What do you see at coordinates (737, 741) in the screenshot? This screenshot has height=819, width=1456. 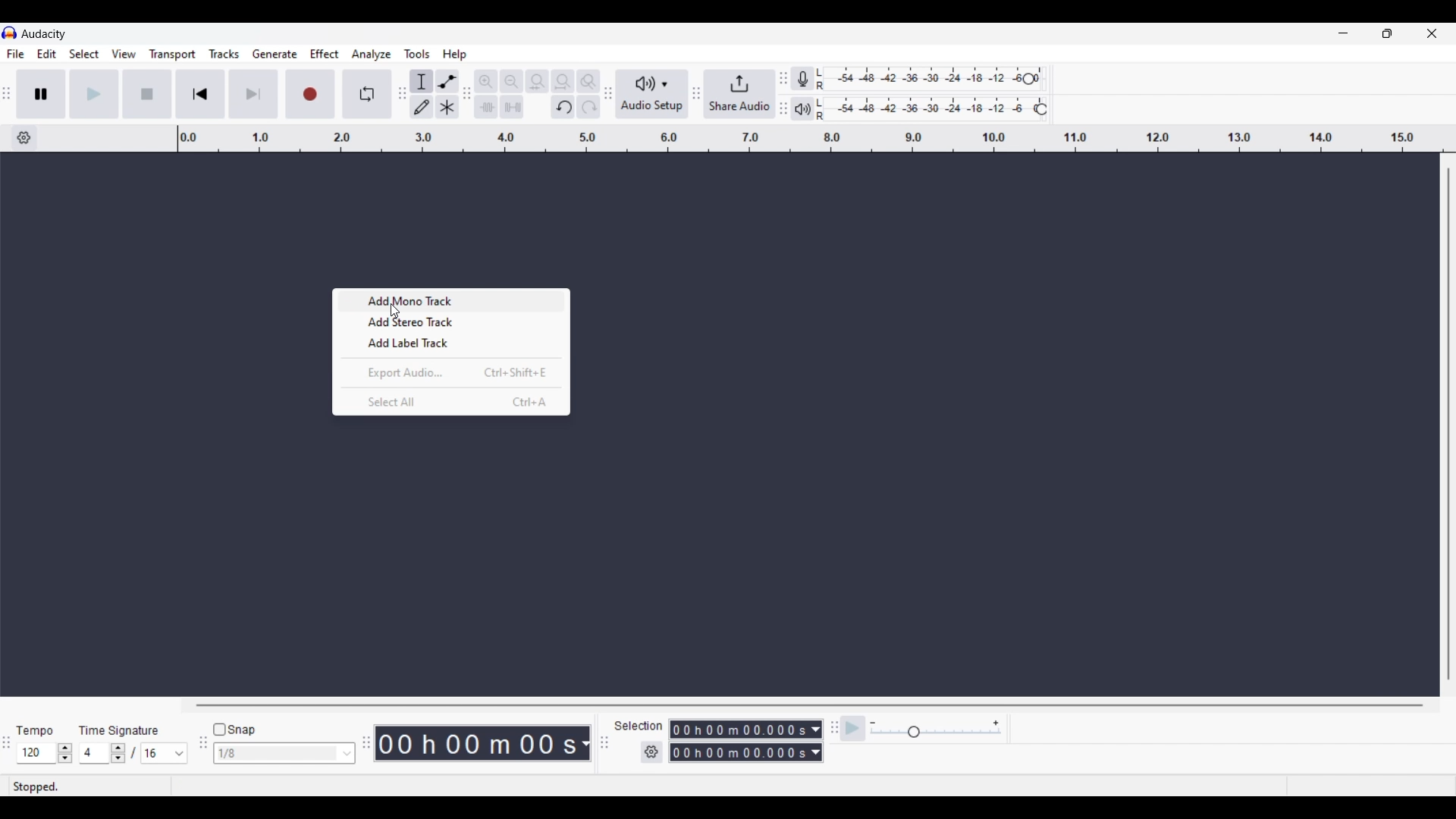 I see `Recording duration` at bounding box center [737, 741].